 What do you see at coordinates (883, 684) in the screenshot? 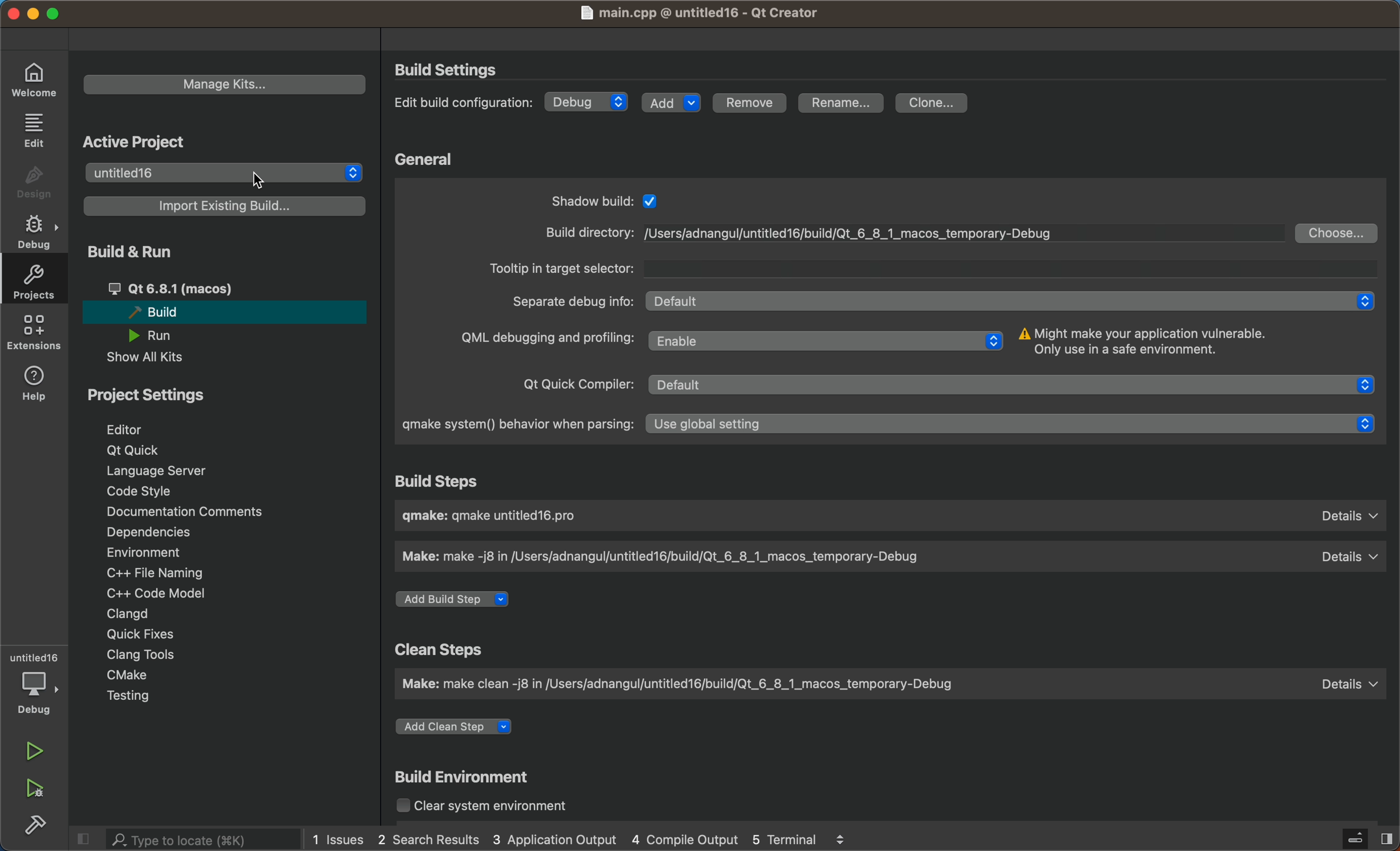
I see `clean steps` at bounding box center [883, 684].